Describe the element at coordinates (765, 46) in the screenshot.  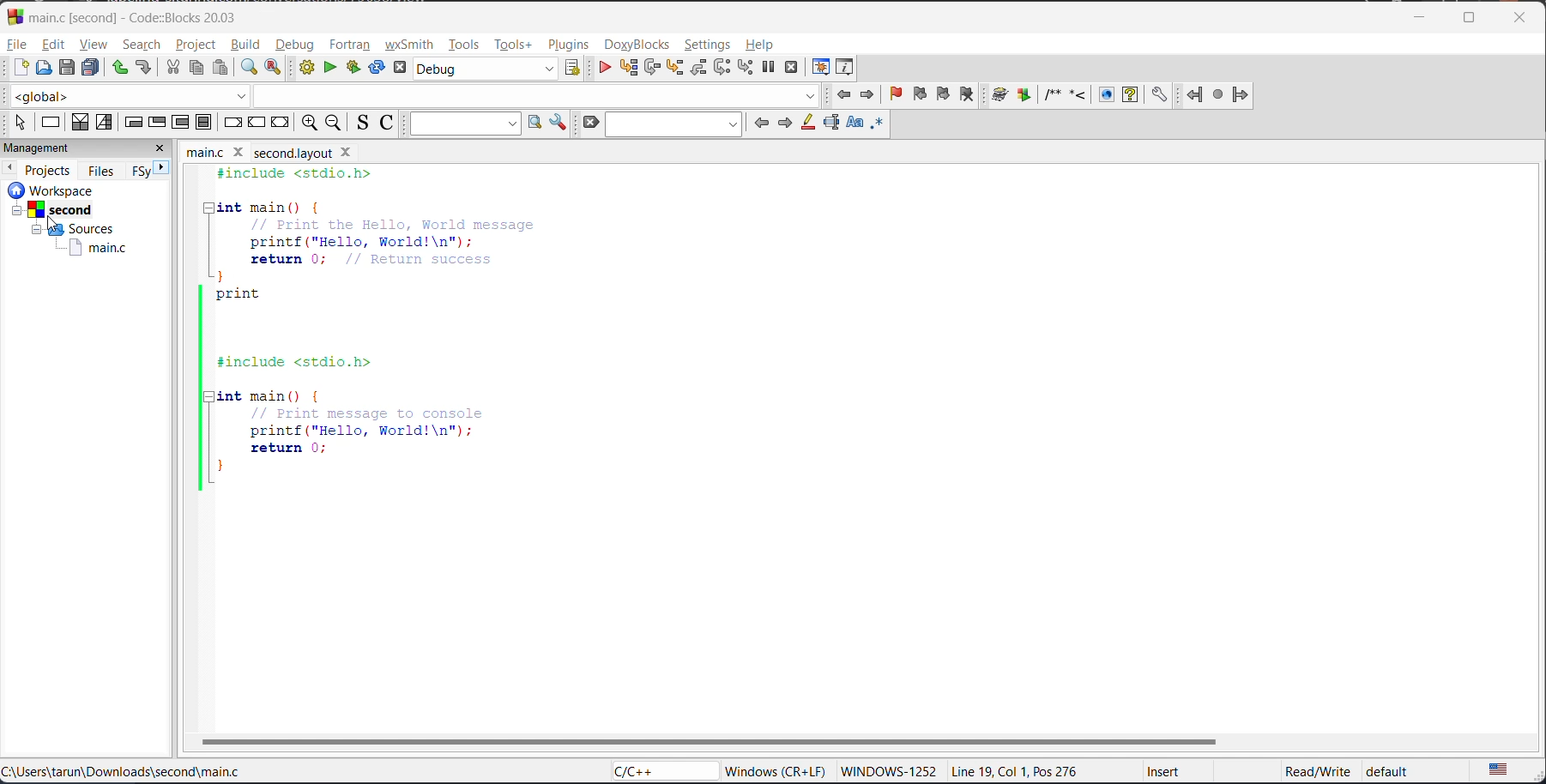
I see `help` at that location.